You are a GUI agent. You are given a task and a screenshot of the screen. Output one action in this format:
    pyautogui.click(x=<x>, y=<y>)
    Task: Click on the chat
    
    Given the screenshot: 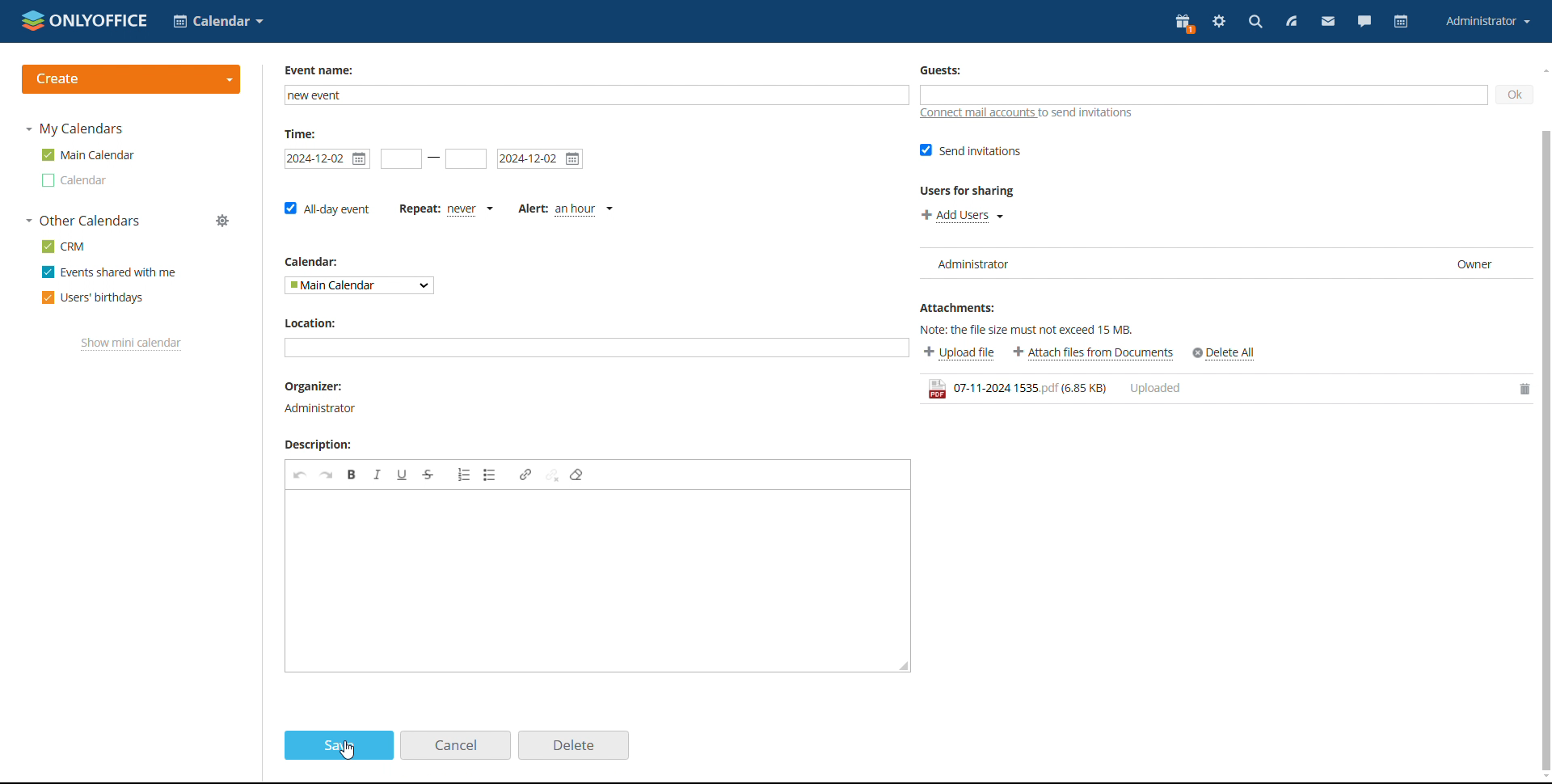 What is the action you would take?
    pyautogui.click(x=1365, y=23)
    